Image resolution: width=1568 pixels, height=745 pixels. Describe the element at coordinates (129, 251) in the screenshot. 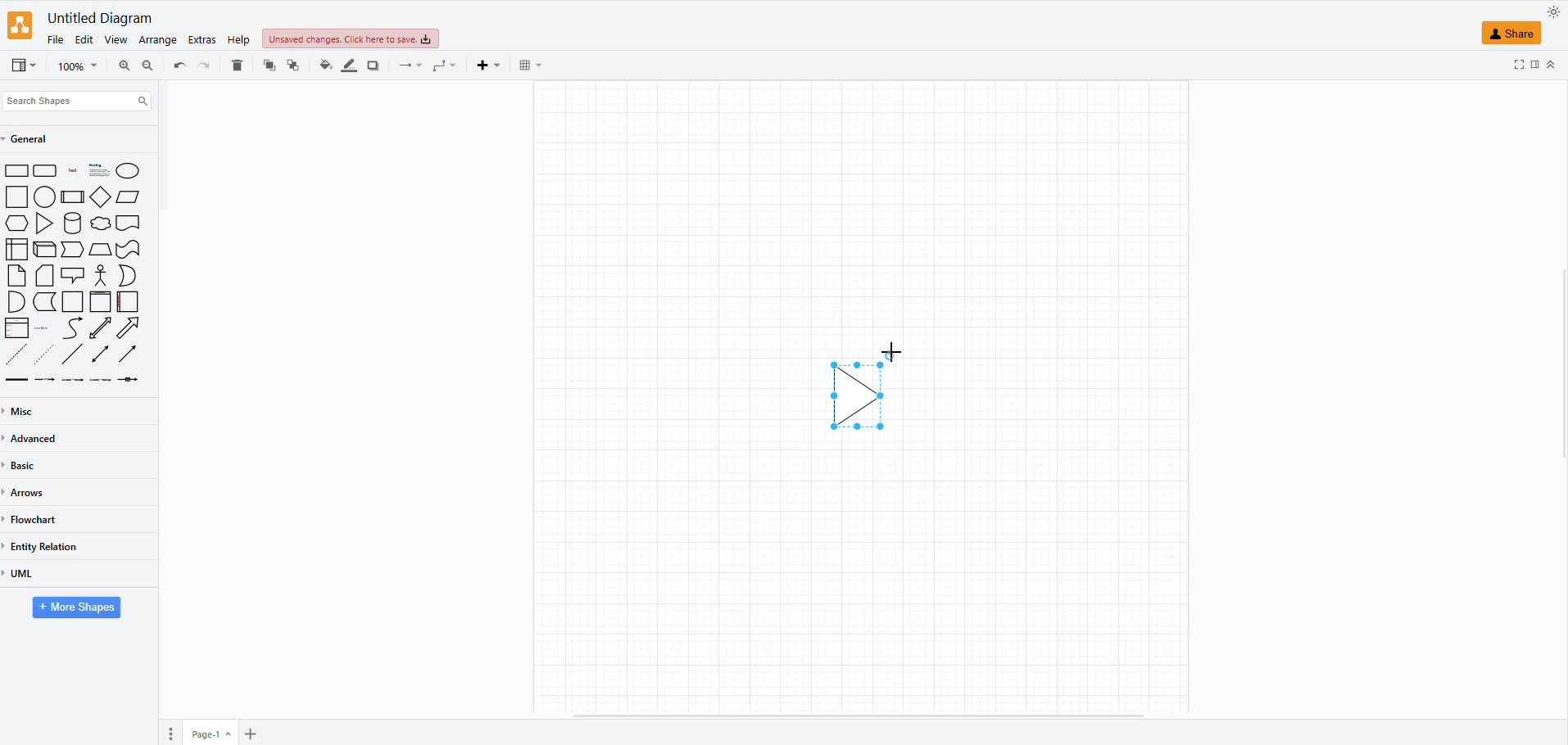

I see `Flag` at that location.